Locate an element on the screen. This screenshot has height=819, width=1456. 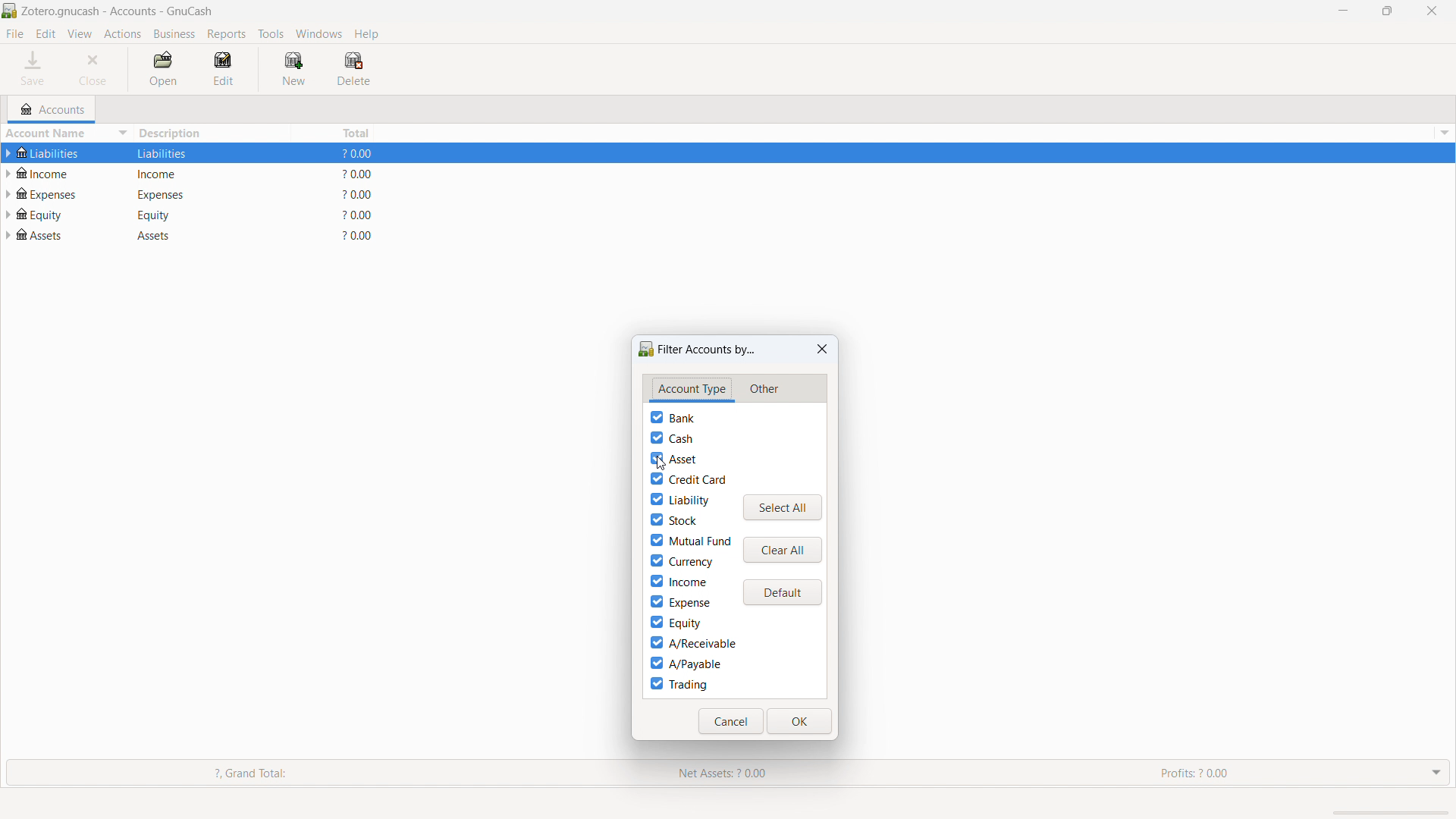
close is located at coordinates (1432, 11).